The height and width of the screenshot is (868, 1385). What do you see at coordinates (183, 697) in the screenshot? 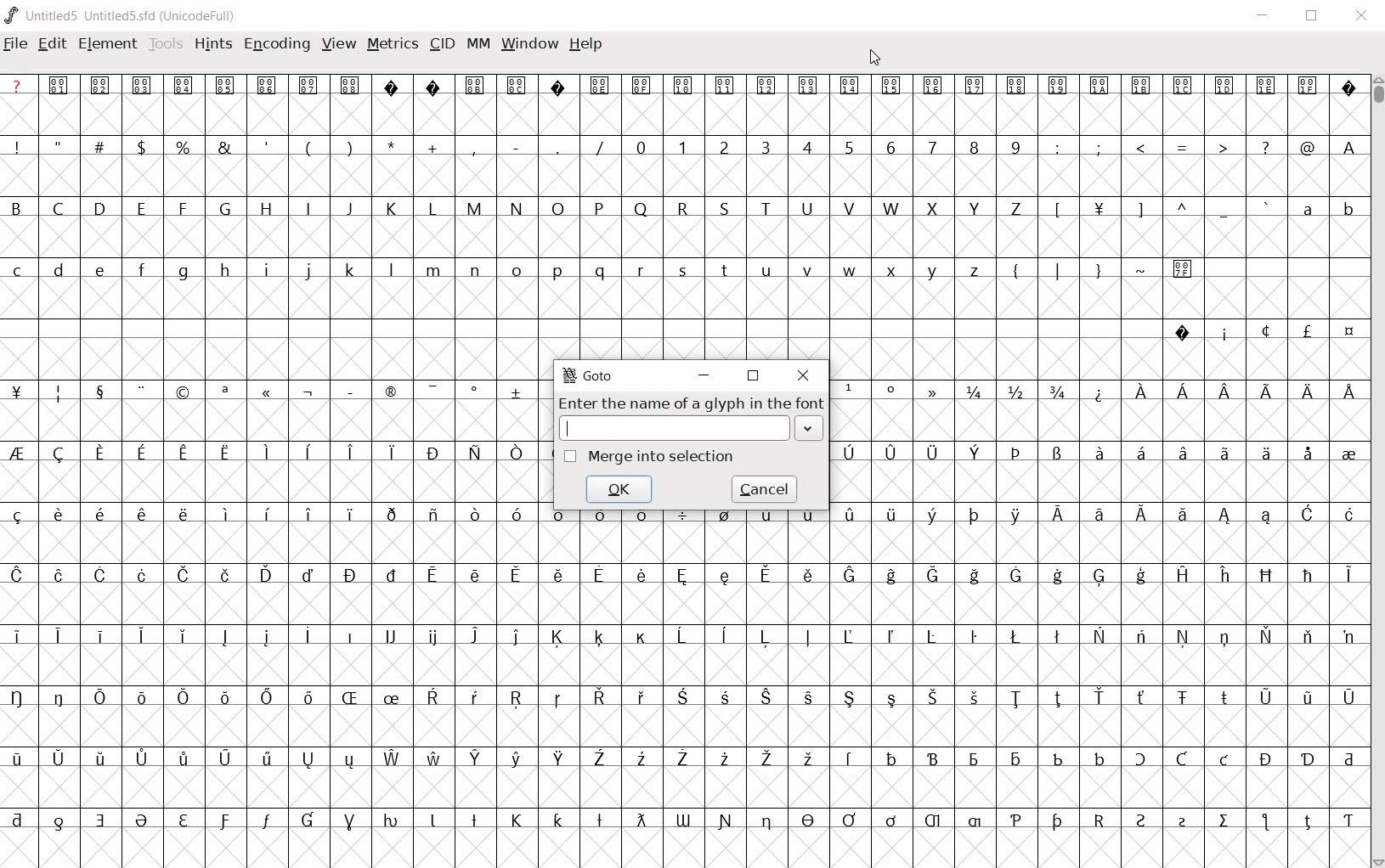
I see `Symbol` at bounding box center [183, 697].